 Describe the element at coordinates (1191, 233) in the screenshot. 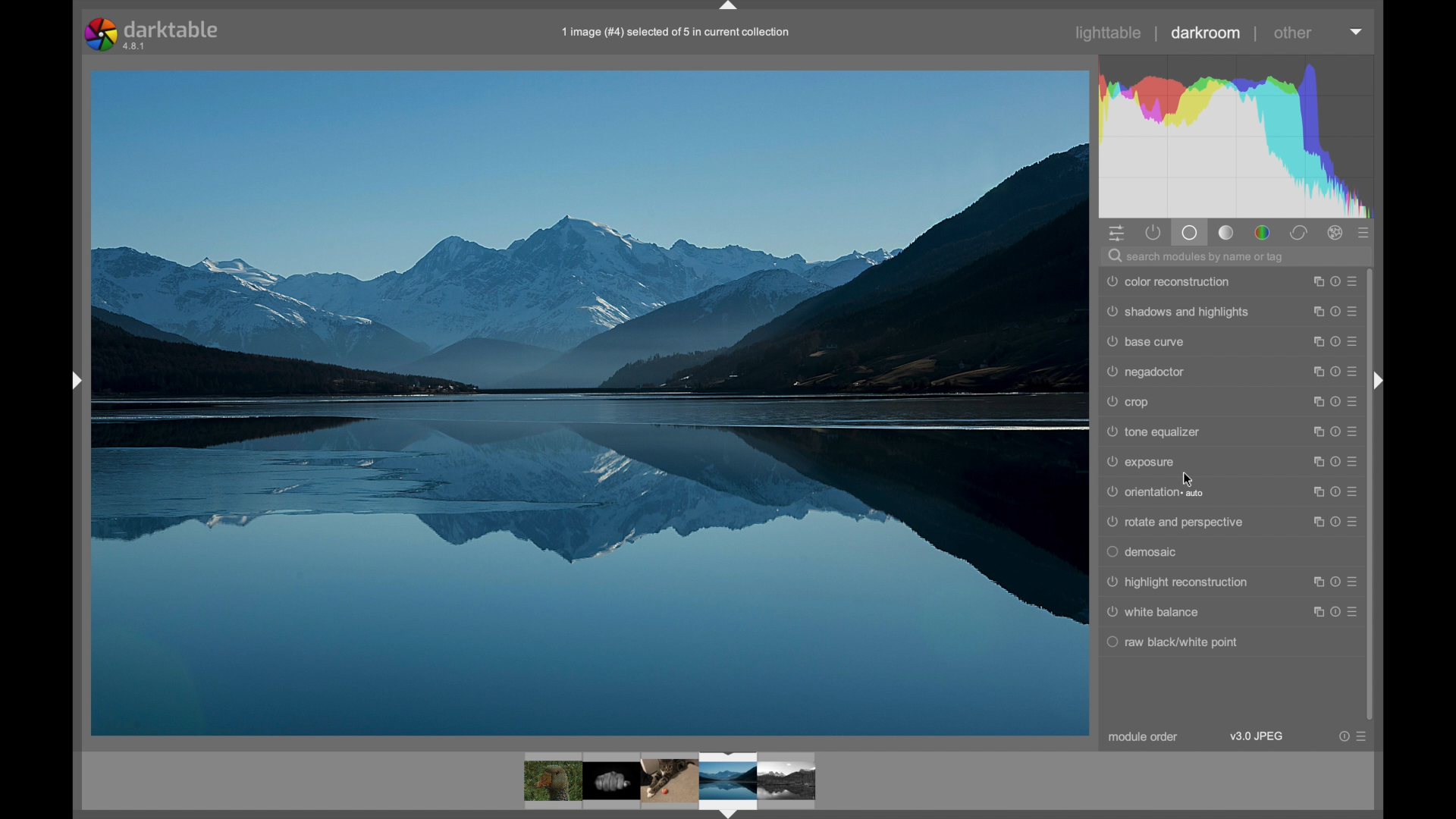

I see `base` at that location.